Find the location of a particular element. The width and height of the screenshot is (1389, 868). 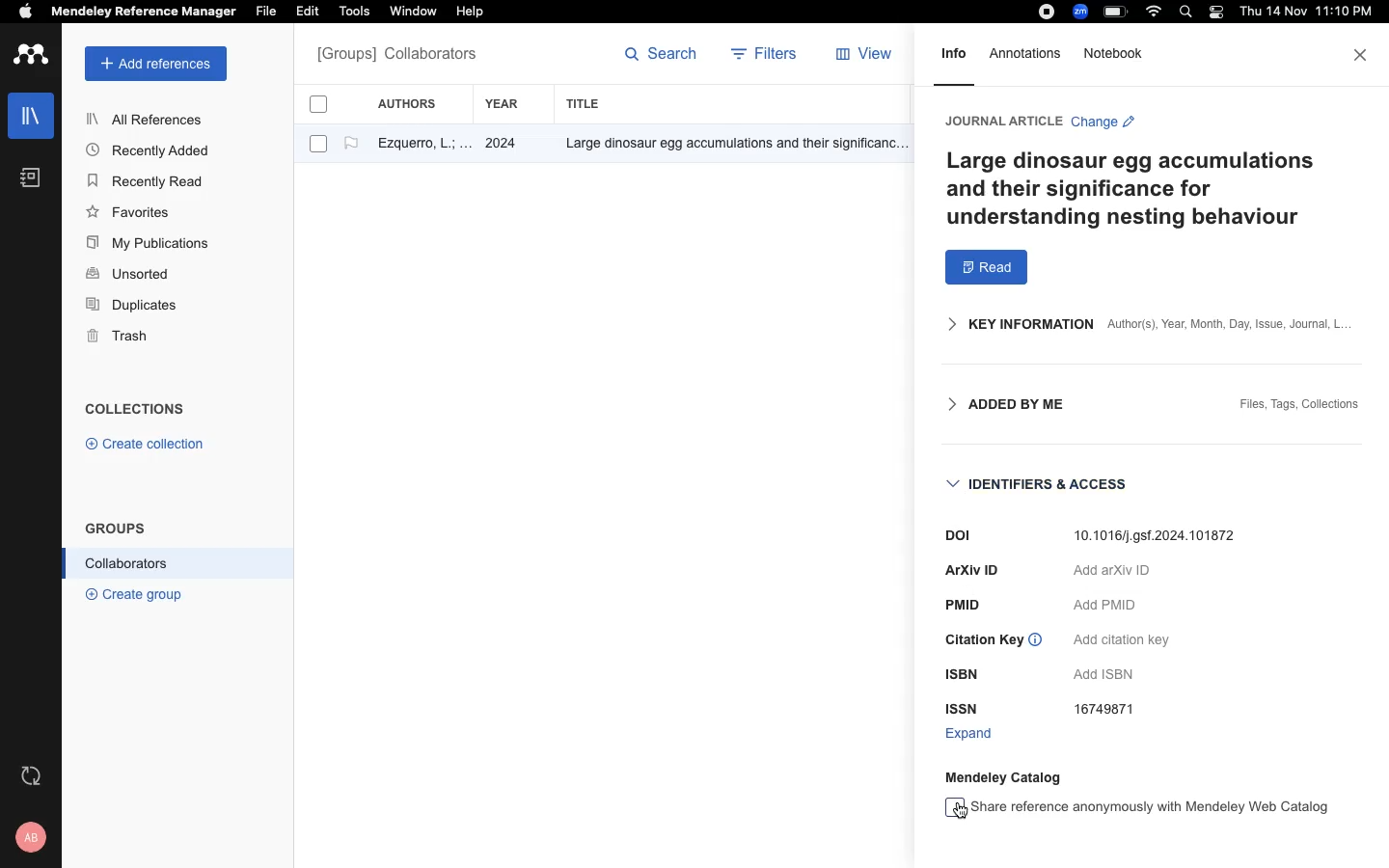

KEY INFORMATION
| is located at coordinates (1010, 324).